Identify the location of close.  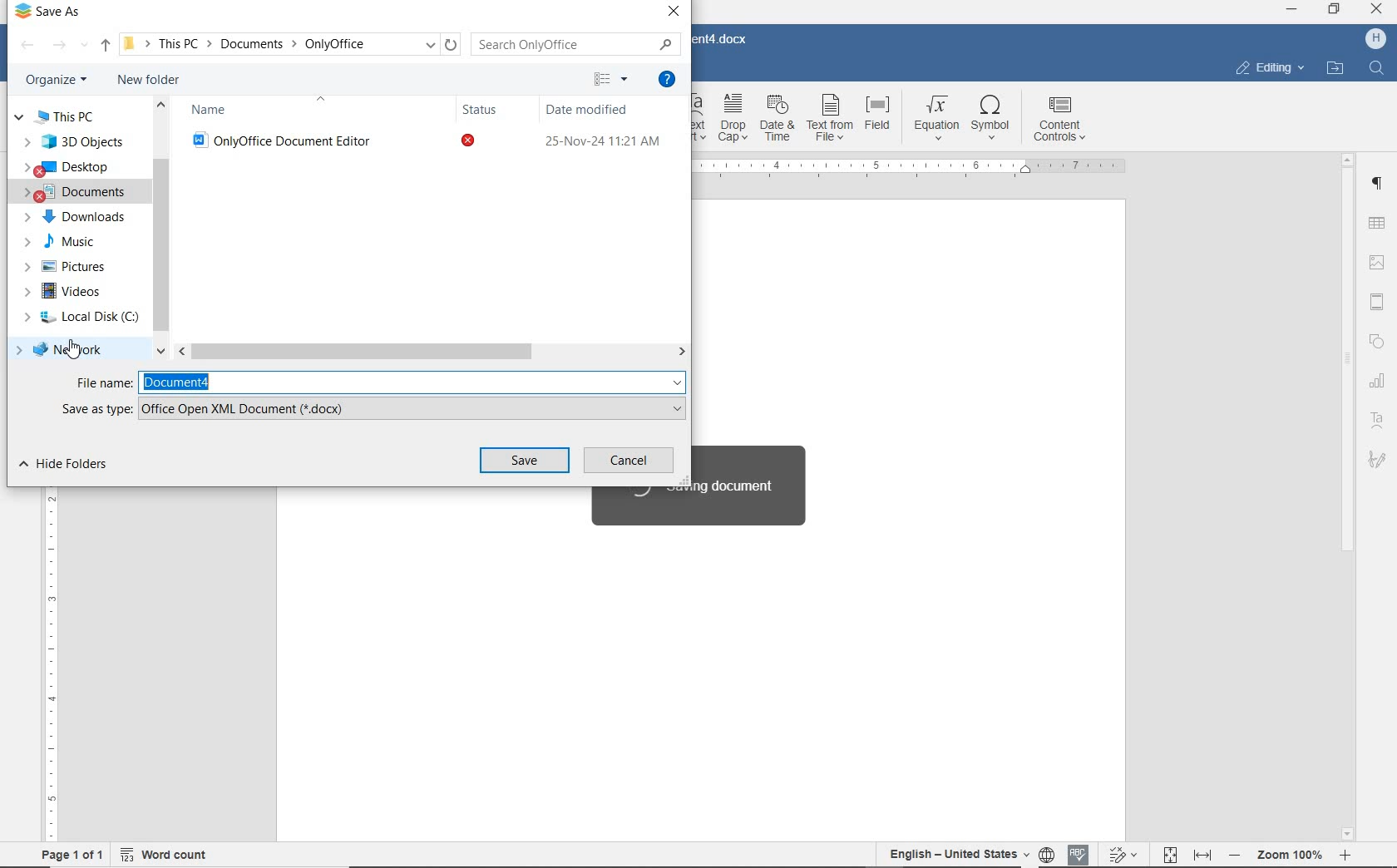
(675, 13).